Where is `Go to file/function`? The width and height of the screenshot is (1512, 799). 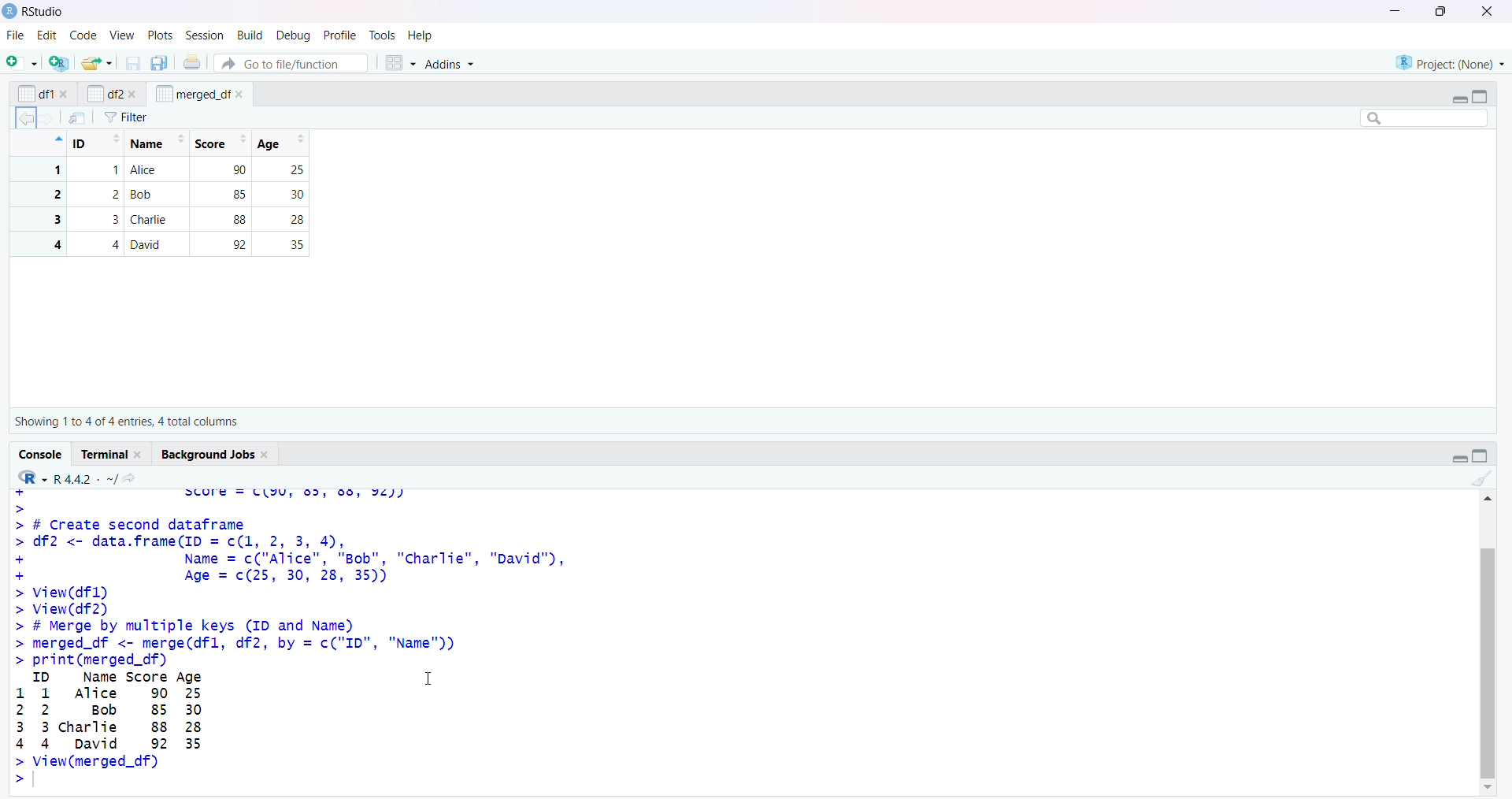
Go to file/function is located at coordinates (291, 63).